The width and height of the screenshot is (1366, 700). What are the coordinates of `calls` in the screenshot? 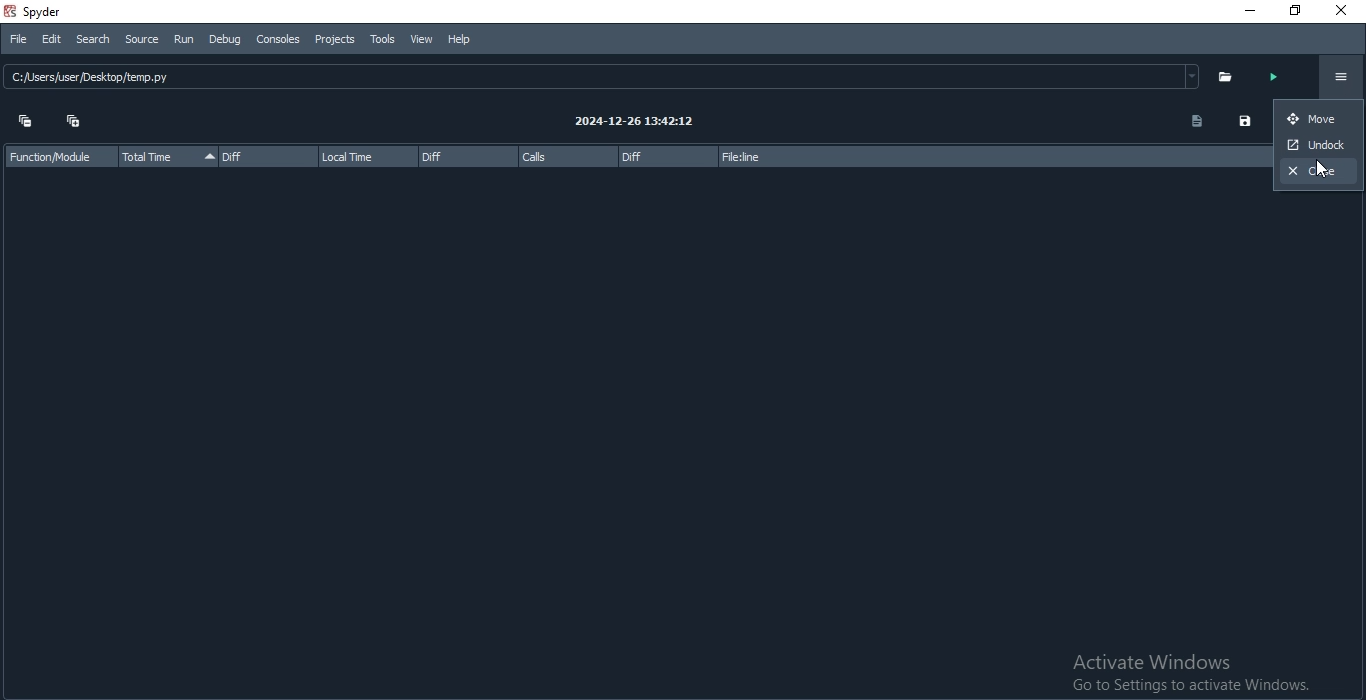 It's located at (567, 156).